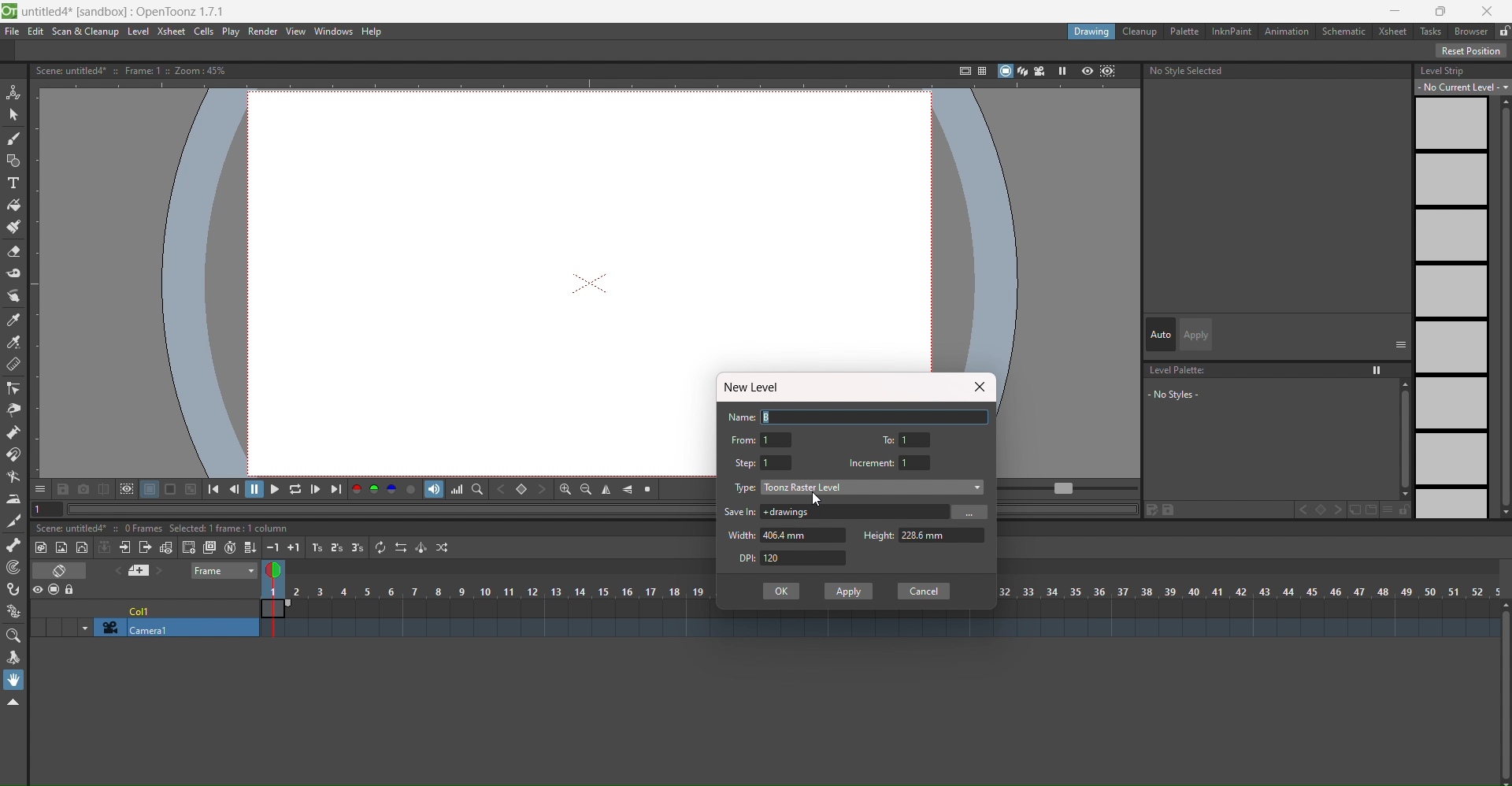  Describe the element at coordinates (206, 32) in the screenshot. I see `cells` at that location.